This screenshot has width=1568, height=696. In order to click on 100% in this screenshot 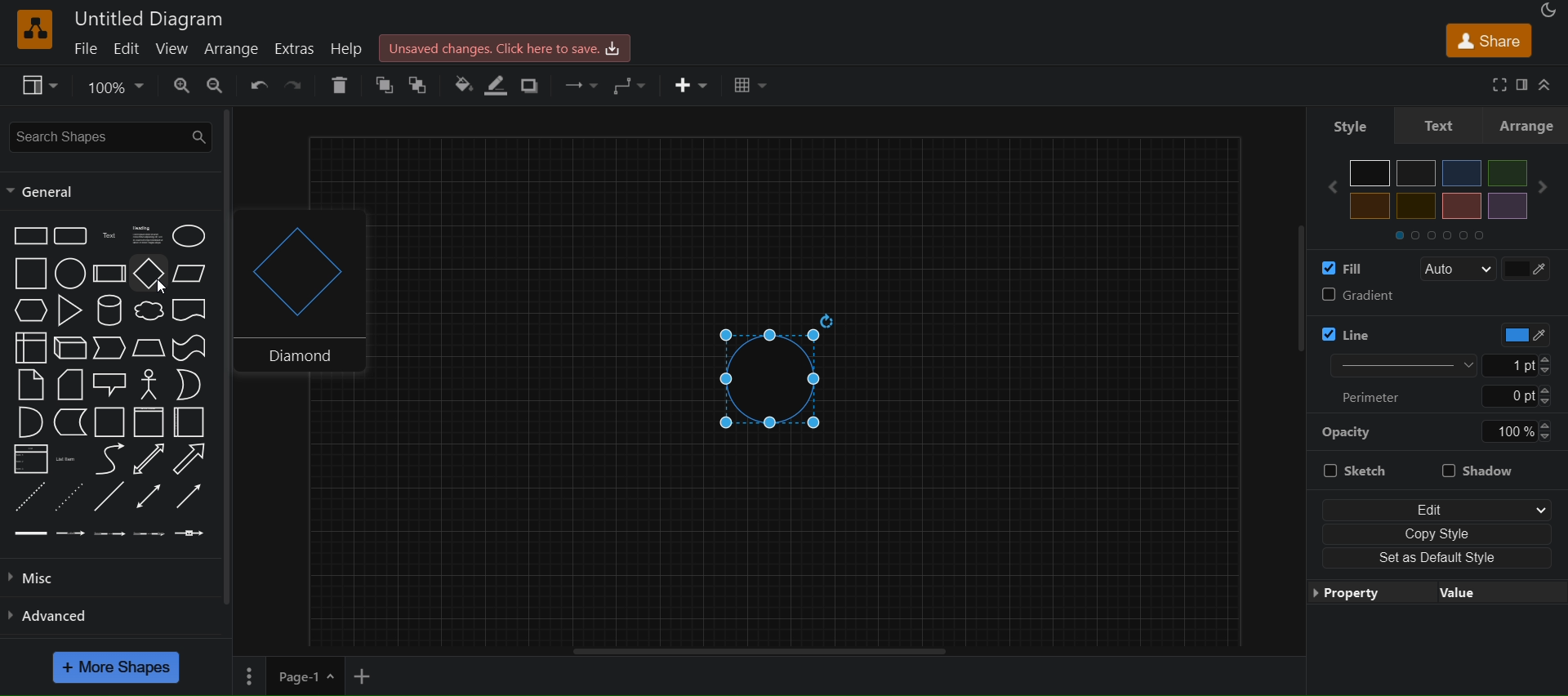, I will do `click(1517, 431)`.